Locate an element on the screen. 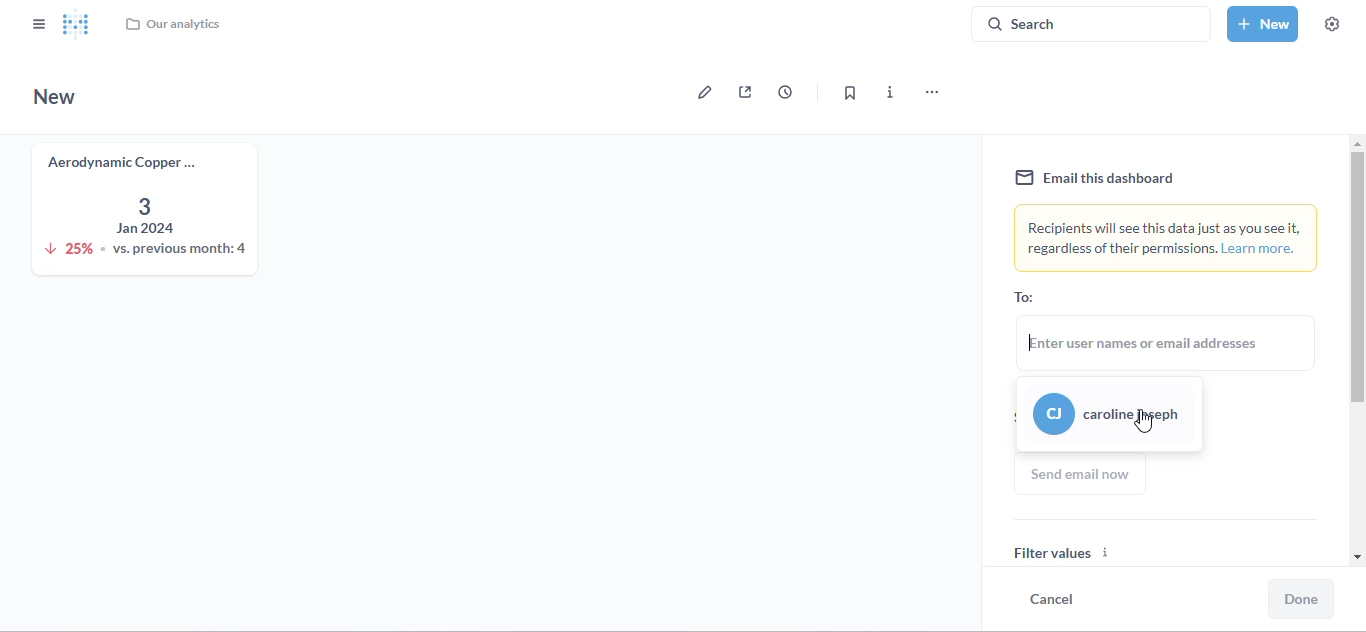 Image resolution: width=1366 pixels, height=632 pixels. to:  is located at coordinates (1024, 297).